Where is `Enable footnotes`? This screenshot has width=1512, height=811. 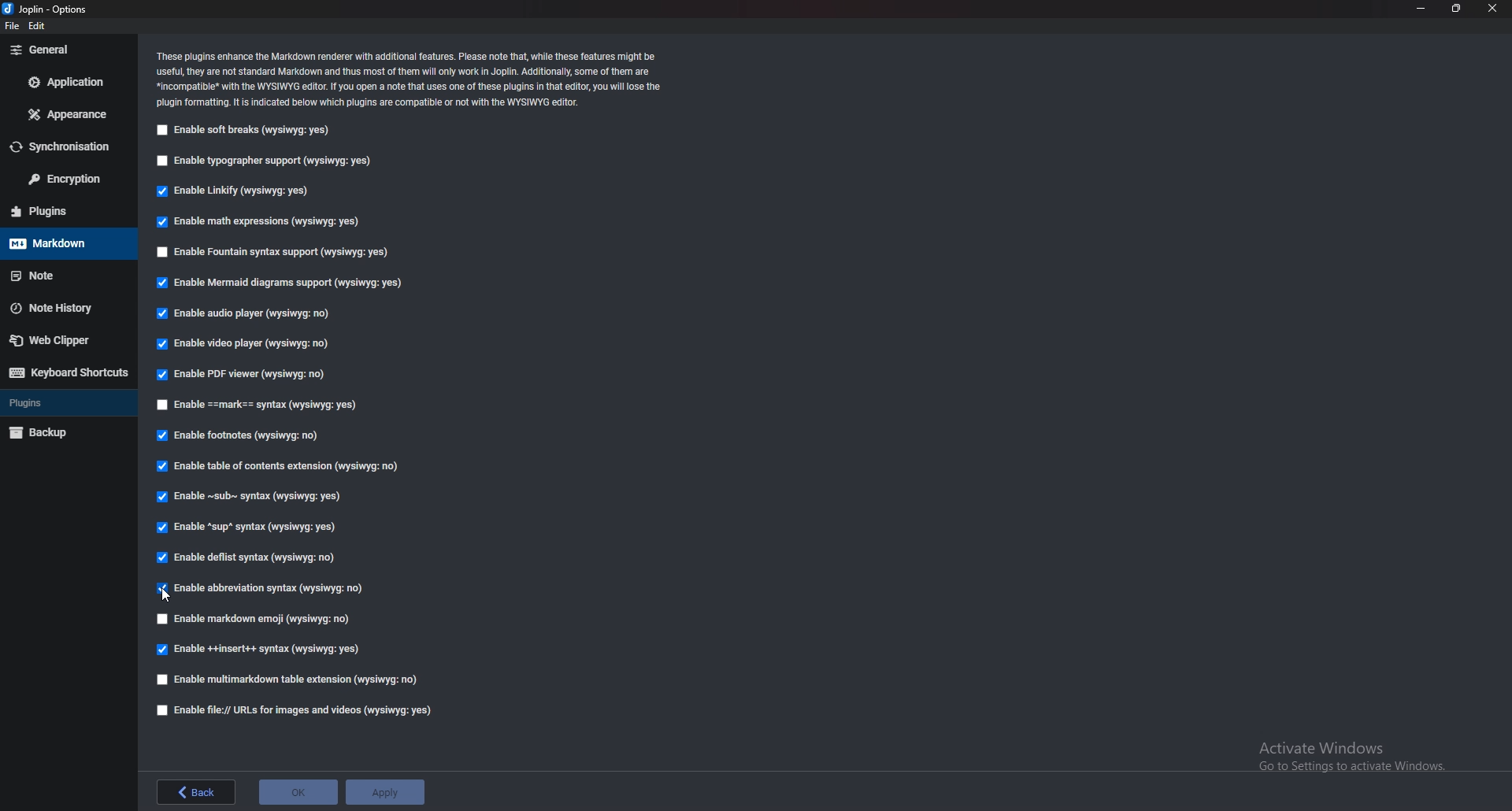
Enable footnotes is located at coordinates (239, 436).